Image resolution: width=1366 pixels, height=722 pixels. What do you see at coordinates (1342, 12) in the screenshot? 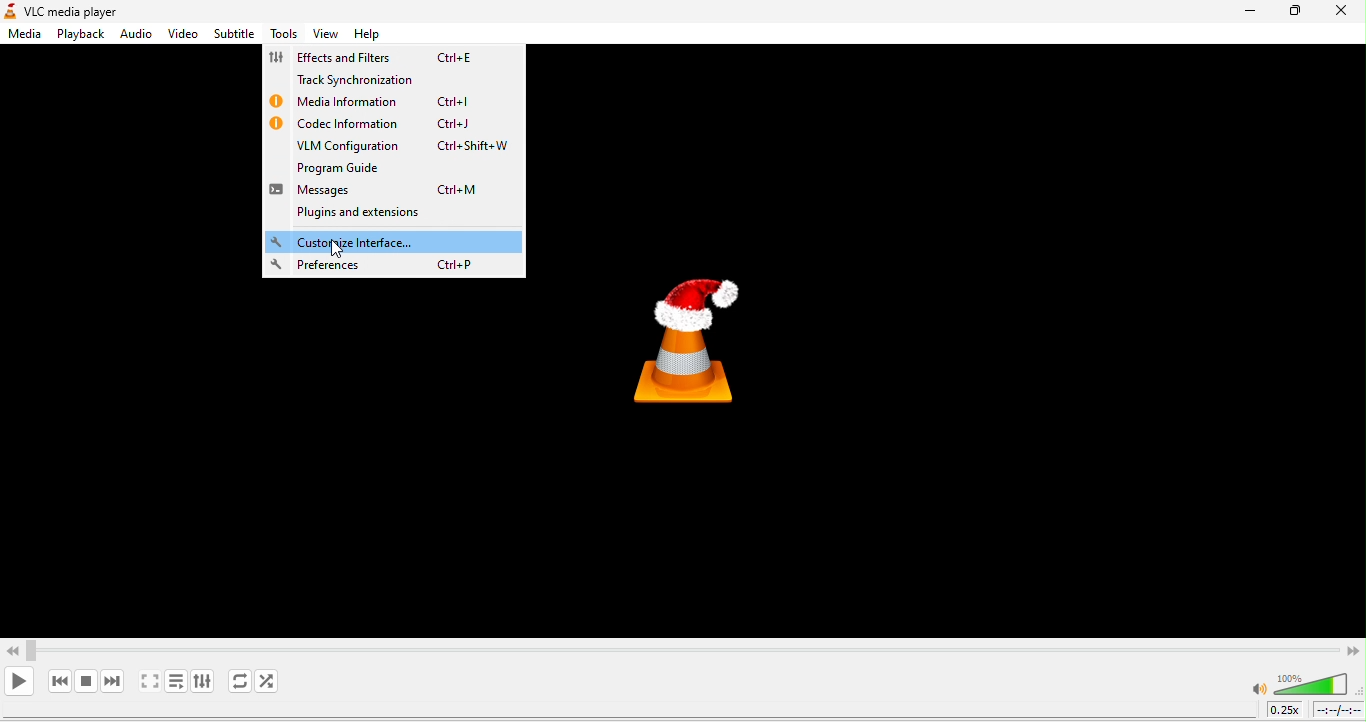
I see `close` at bounding box center [1342, 12].